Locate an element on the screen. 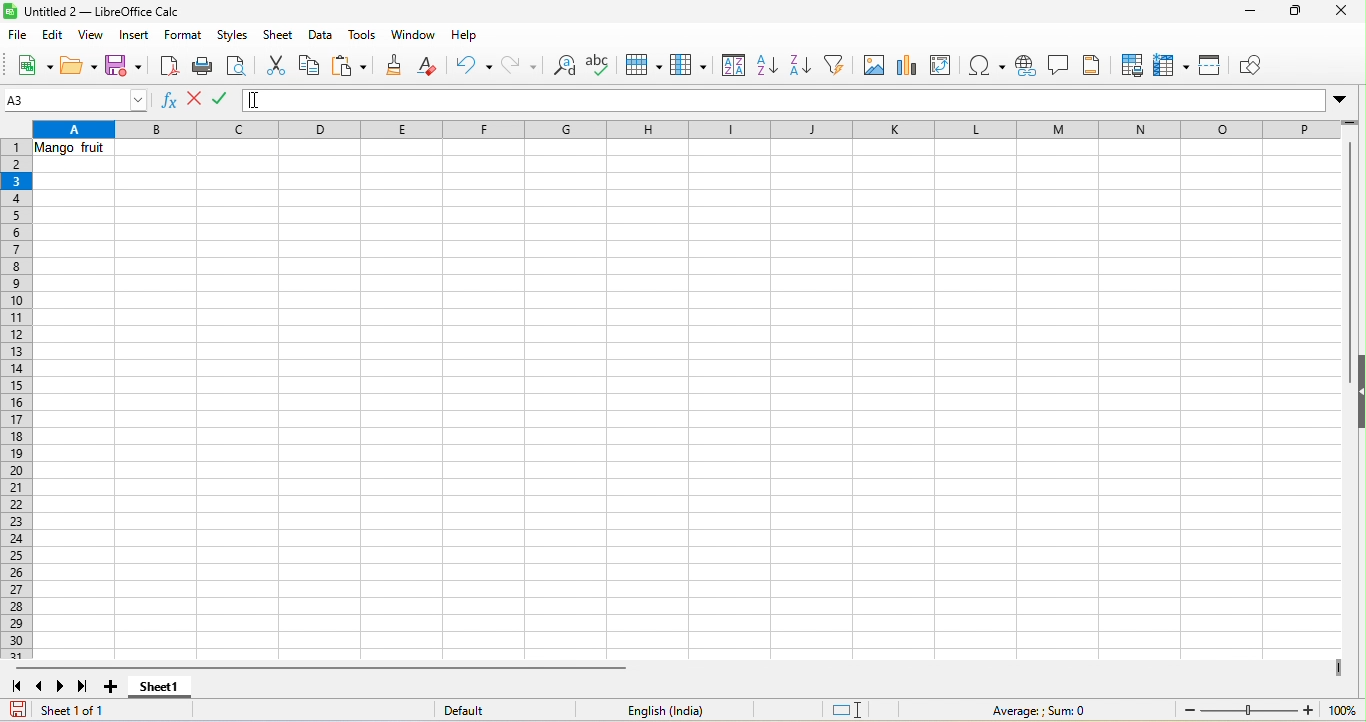 This screenshot has height=722, width=1366. show draw function is located at coordinates (1257, 65).